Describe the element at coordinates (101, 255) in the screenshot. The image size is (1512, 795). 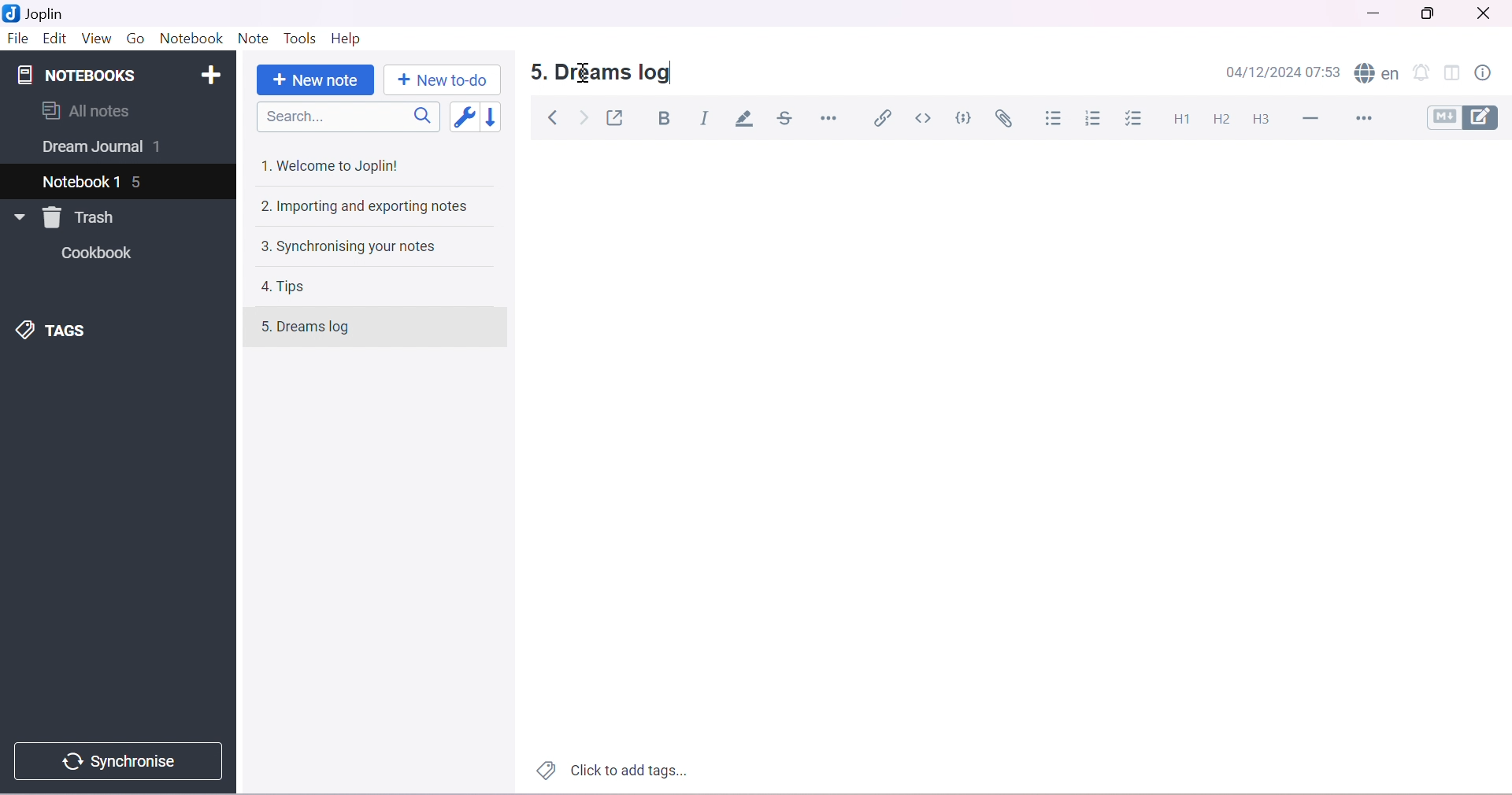
I see `Cookbook` at that location.